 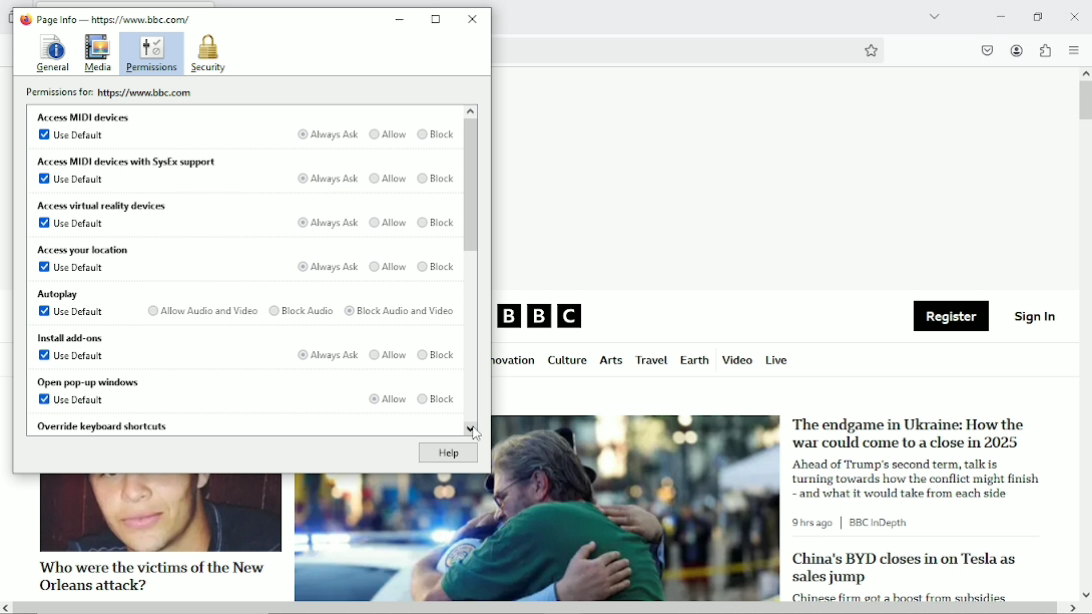 I want to click on Use default, so click(x=74, y=179).